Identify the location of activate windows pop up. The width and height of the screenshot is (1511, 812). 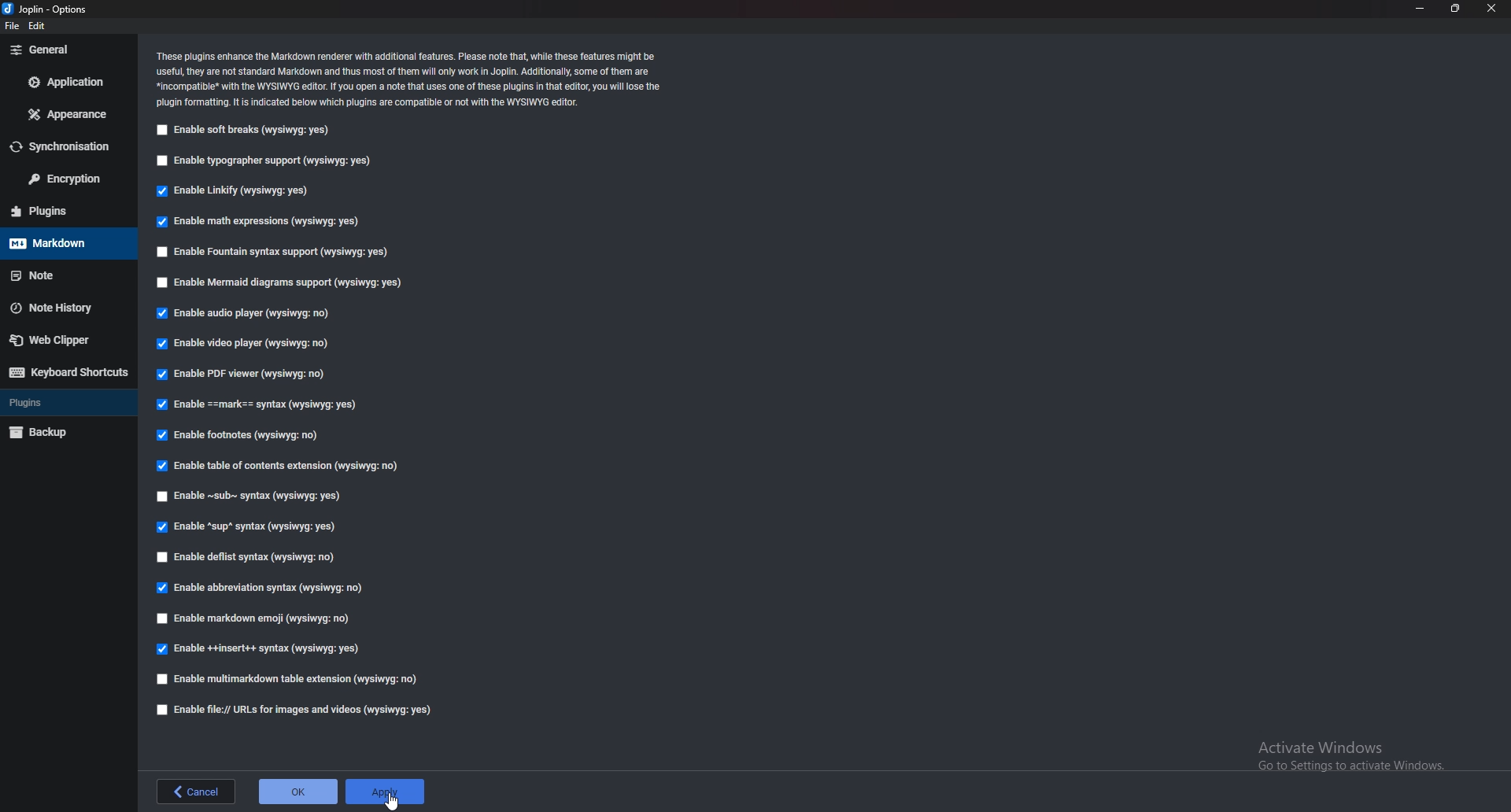
(1353, 759).